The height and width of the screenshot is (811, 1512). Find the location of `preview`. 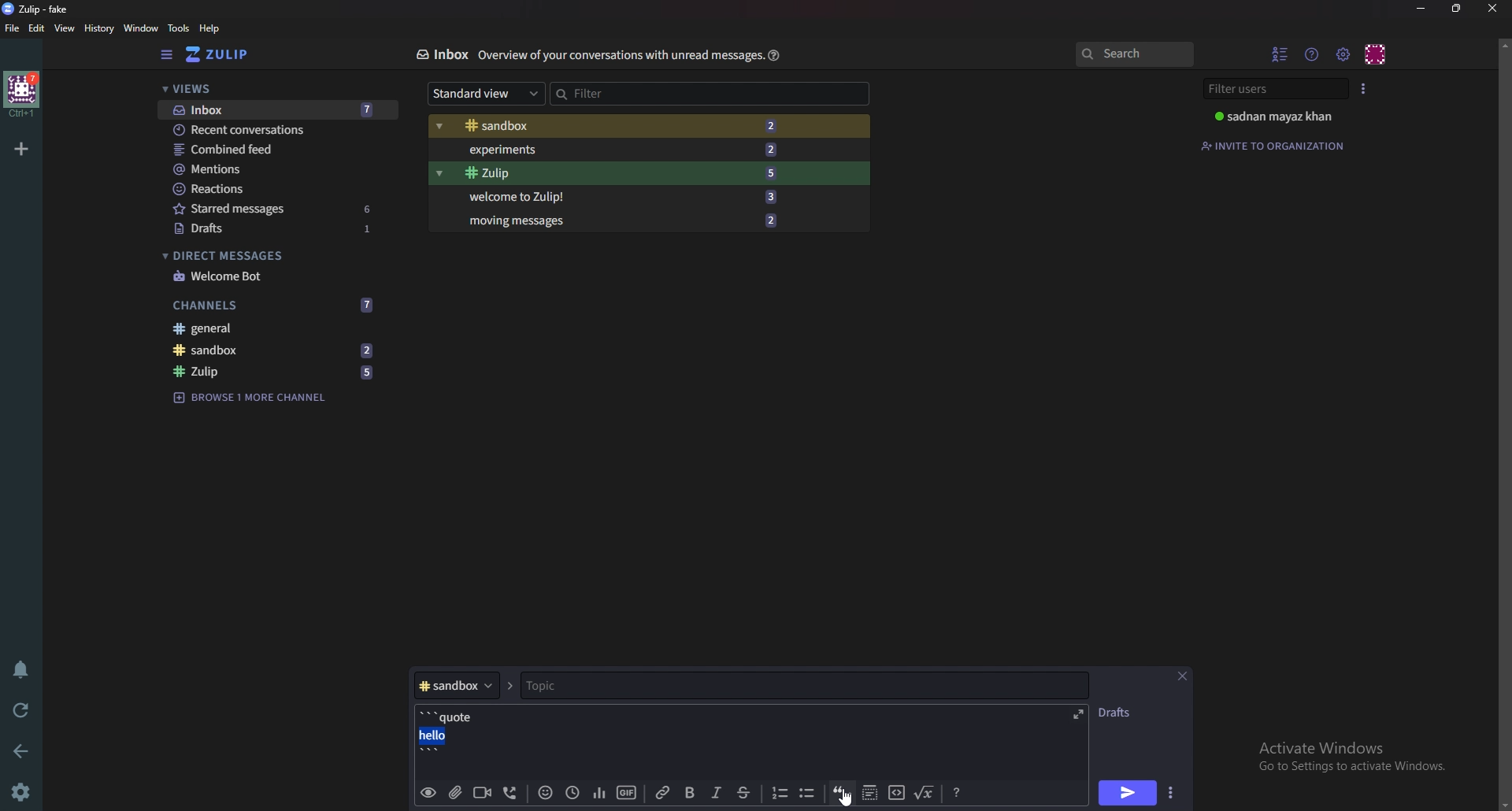

preview is located at coordinates (428, 791).